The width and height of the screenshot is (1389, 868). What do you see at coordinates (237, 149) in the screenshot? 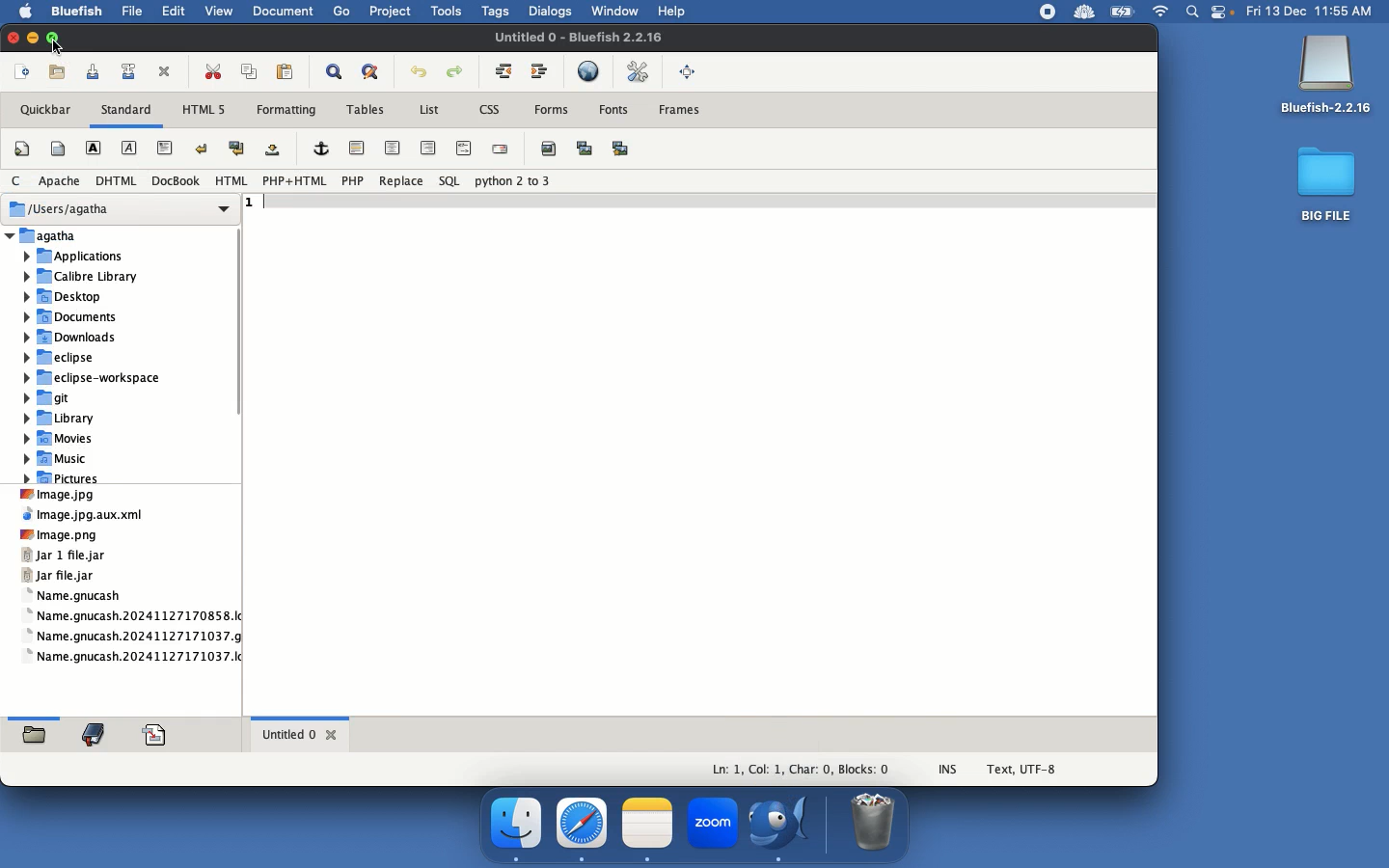
I see `Break and clear` at bounding box center [237, 149].